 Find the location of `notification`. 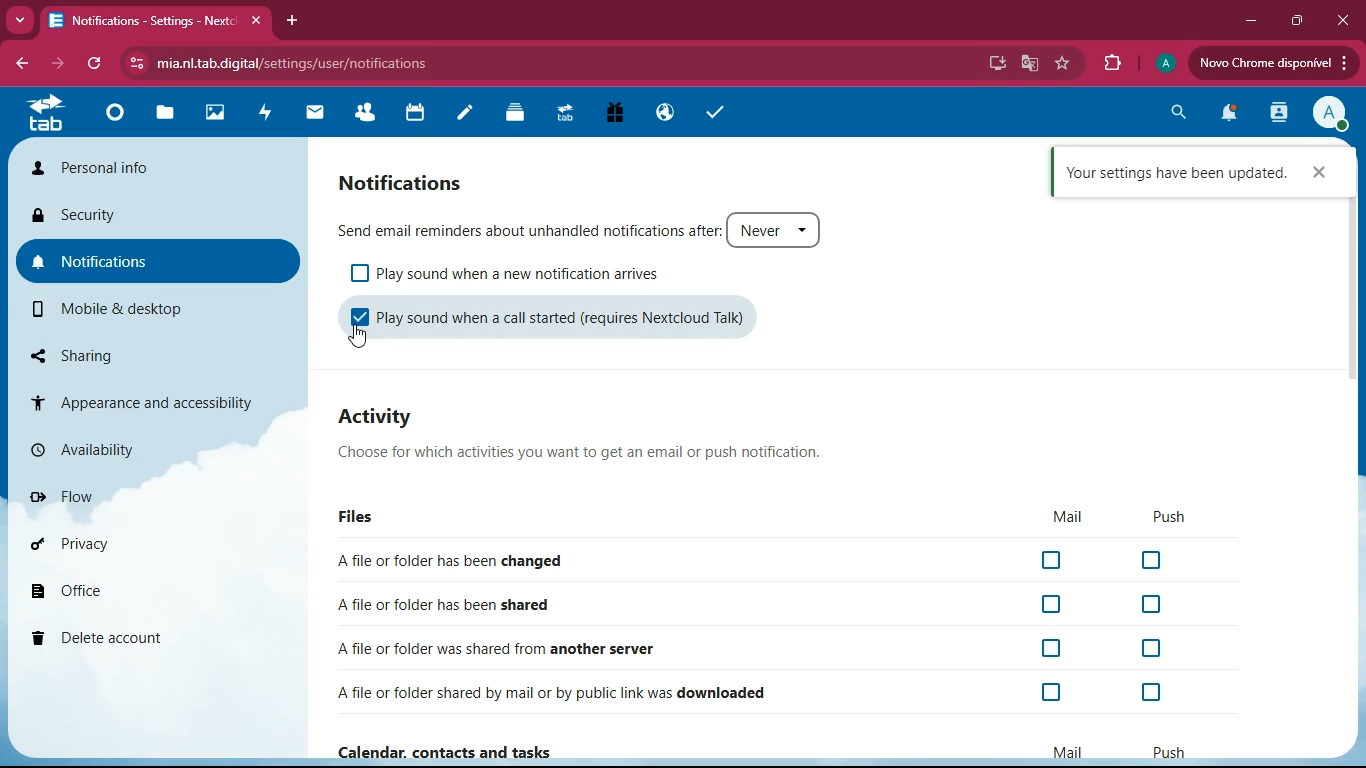

notification is located at coordinates (406, 178).